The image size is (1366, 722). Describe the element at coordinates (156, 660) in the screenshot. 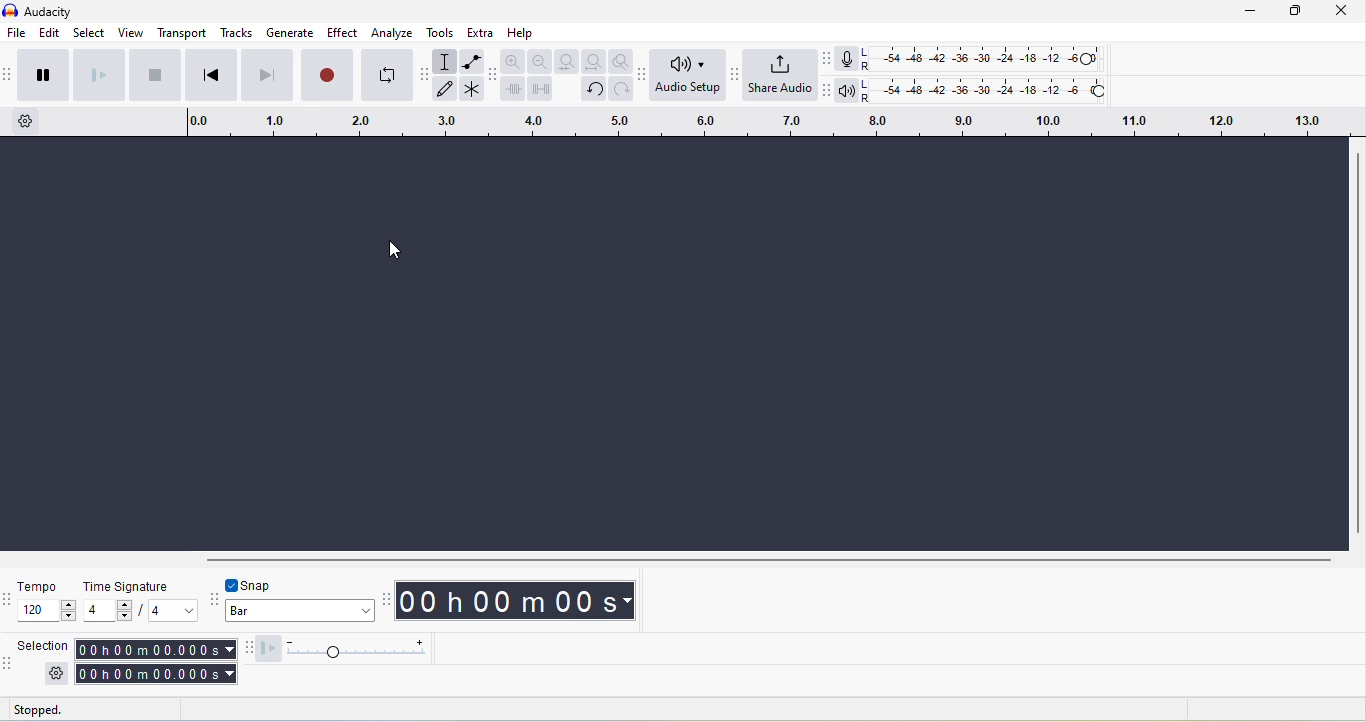

I see `00 h 00 m 00 s` at that location.